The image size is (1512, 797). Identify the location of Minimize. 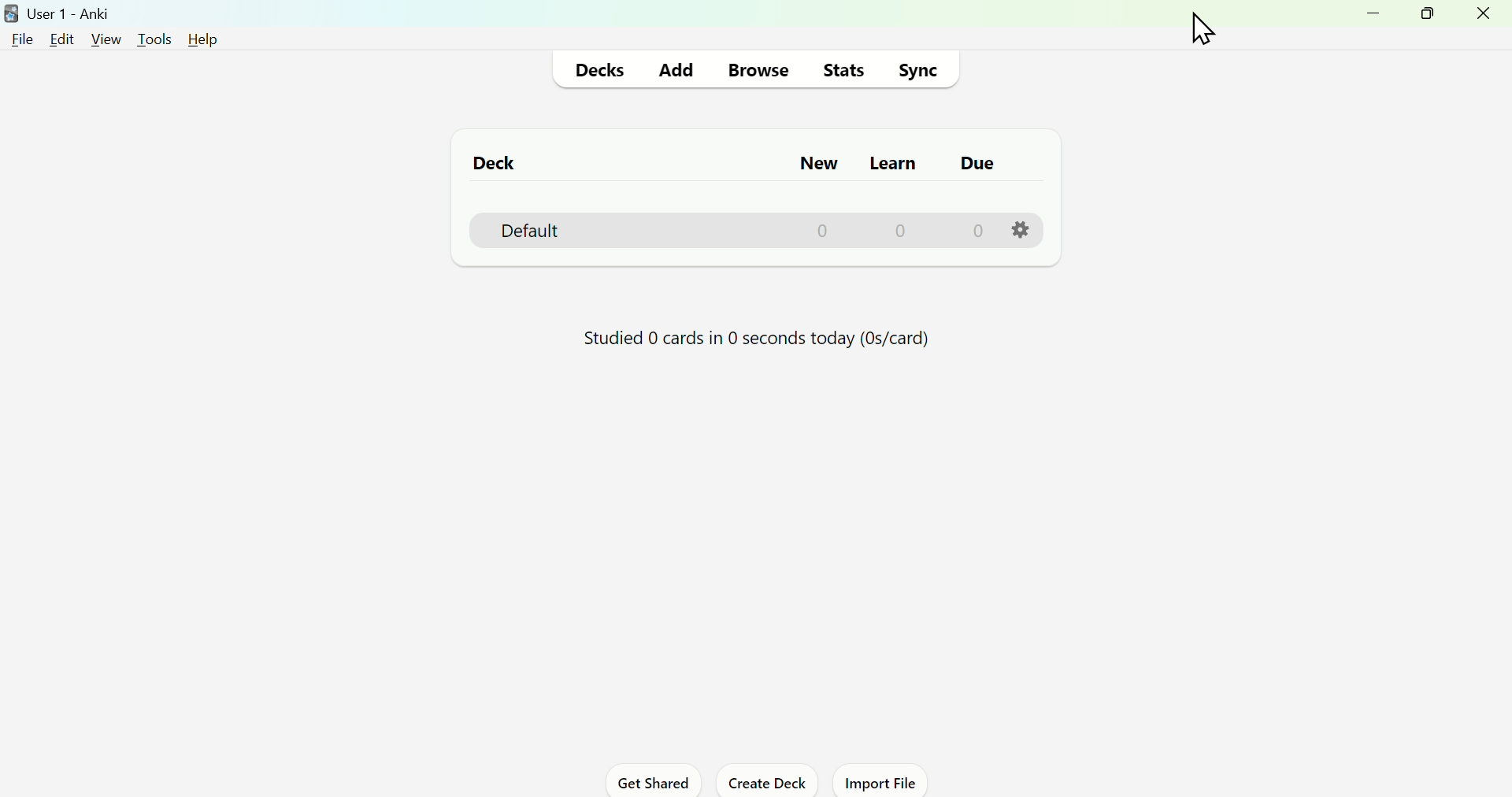
(1380, 21).